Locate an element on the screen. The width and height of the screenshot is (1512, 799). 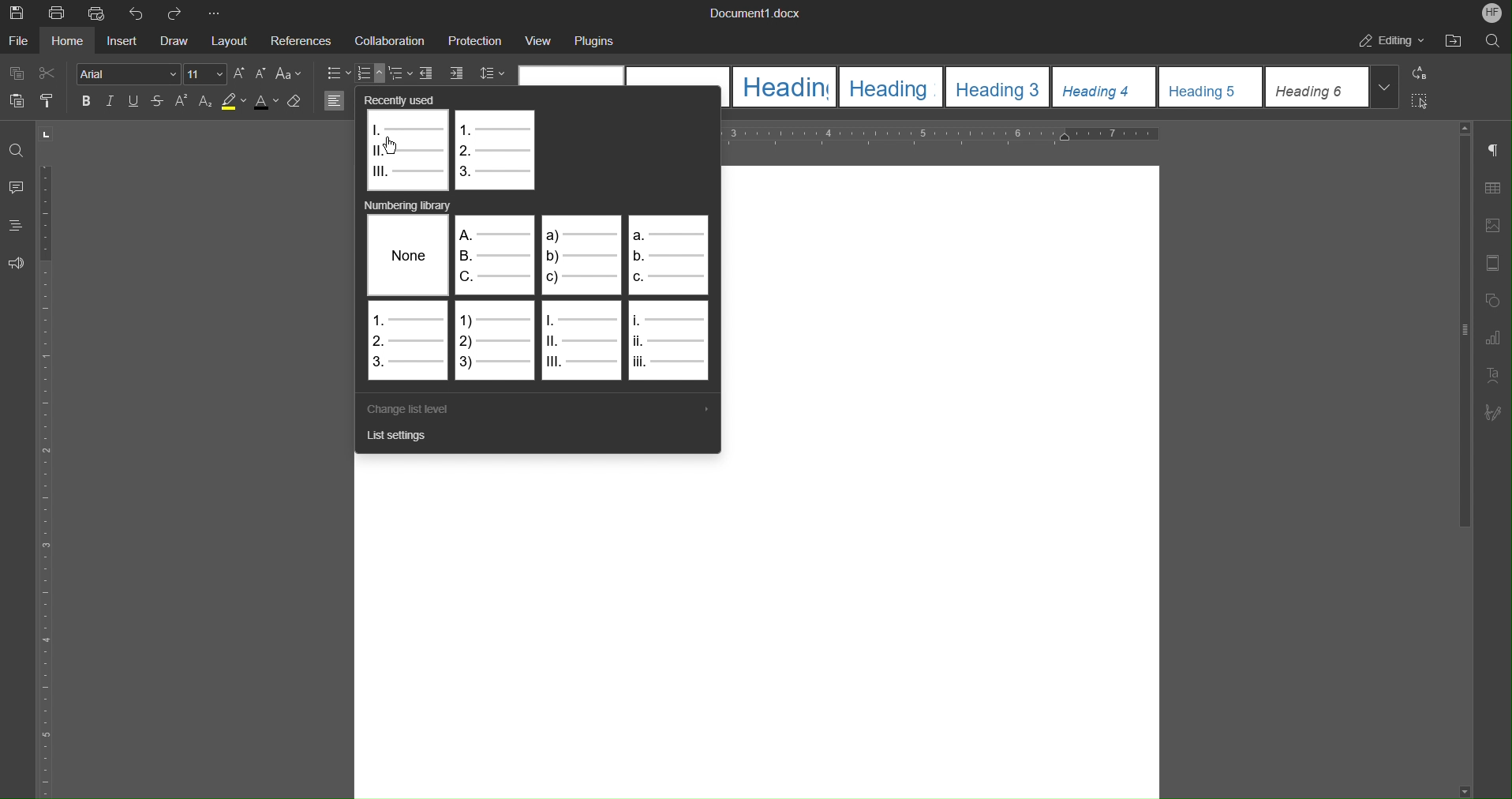
Numbered List is located at coordinates (369, 73).